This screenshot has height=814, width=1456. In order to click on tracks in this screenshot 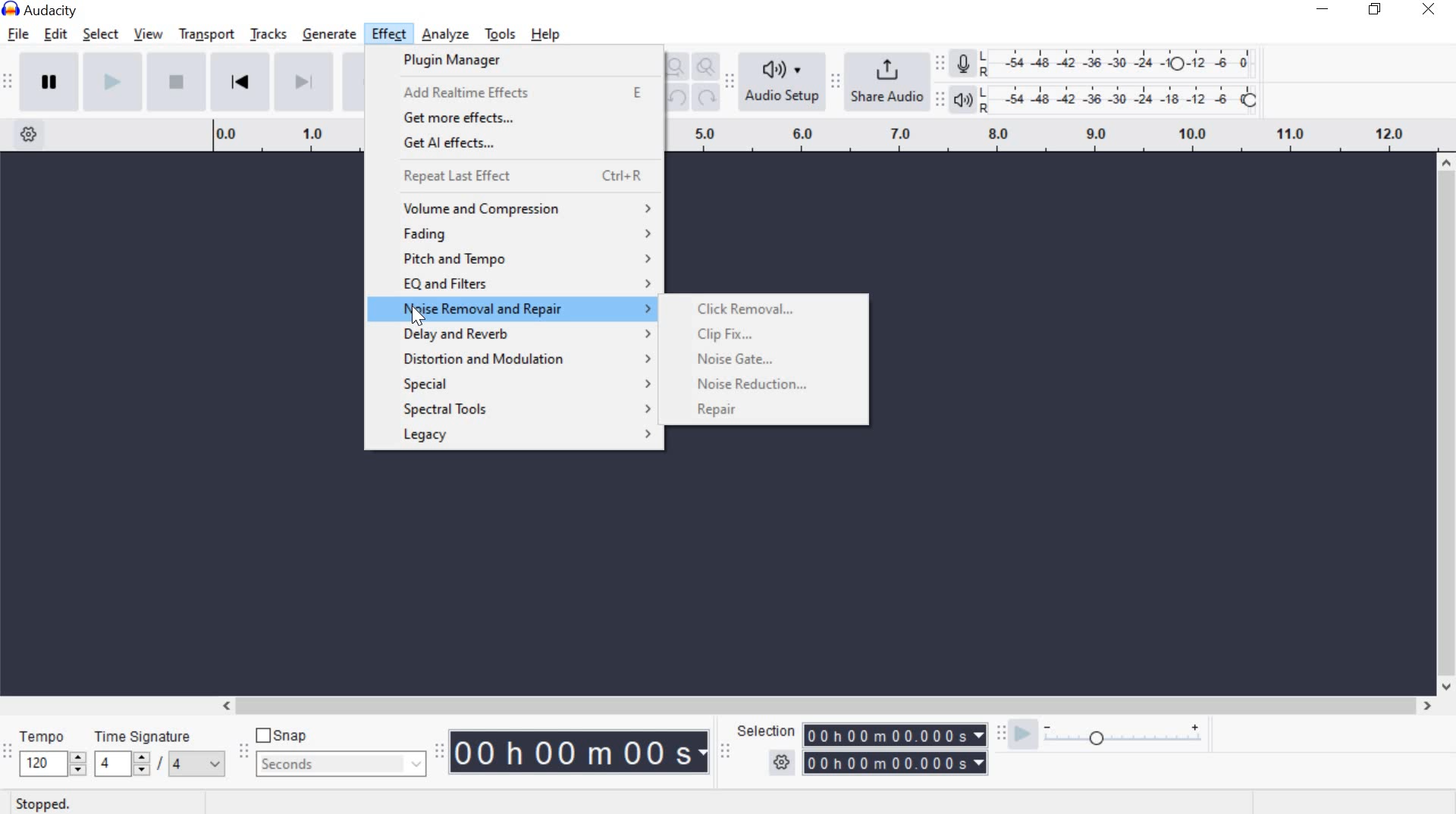, I will do `click(265, 36)`.